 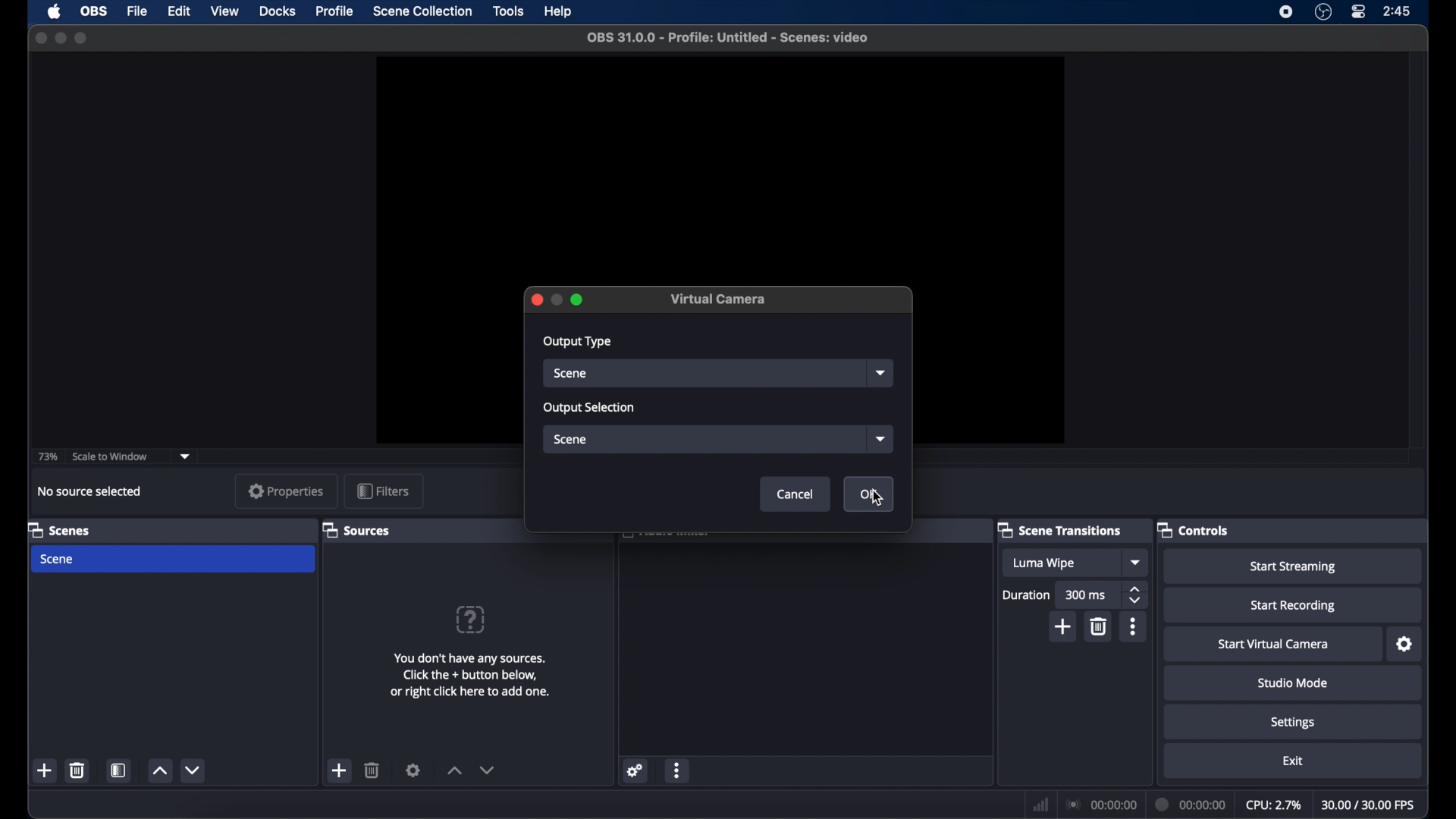 What do you see at coordinates (1294, 567) in the screenshot?
I see `start  streaming` at bounding box center [1294, 567].